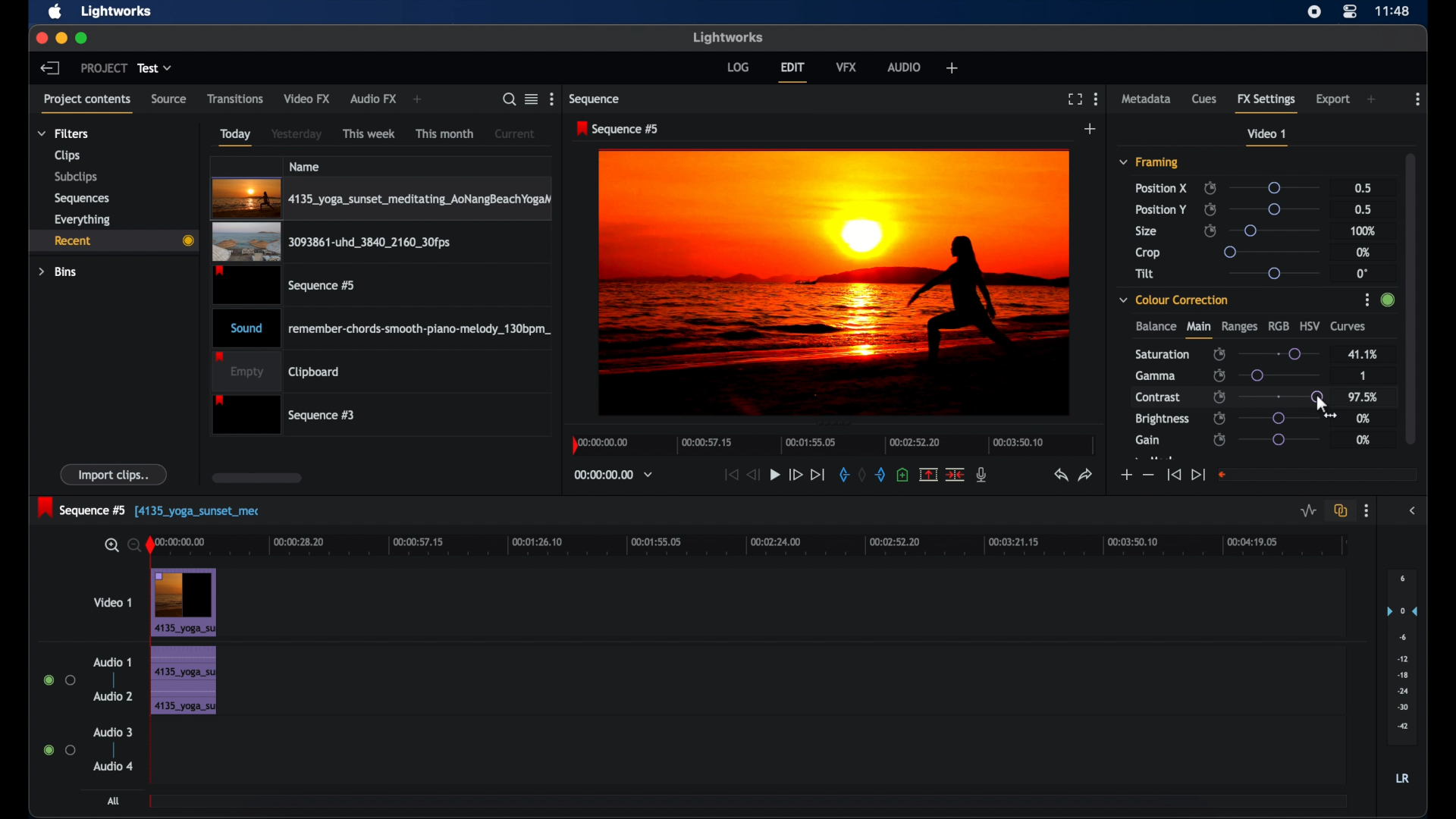 The image size is (1456, 819). What do you see at coordinates (117, 12) in the screenshot?
I see `lightworks` at bounding box center [117, 12].